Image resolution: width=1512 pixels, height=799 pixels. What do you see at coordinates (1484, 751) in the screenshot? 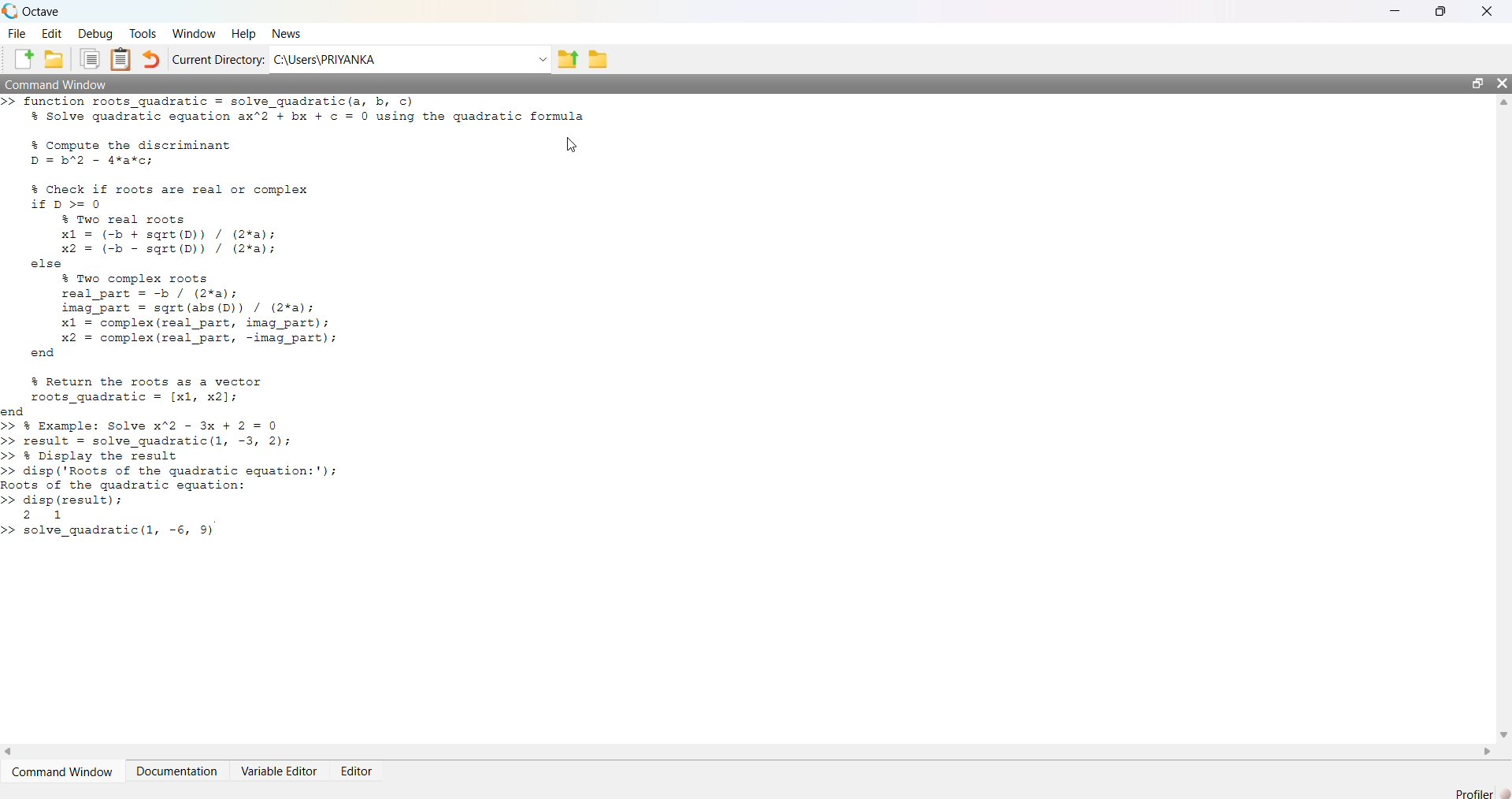
I see `Right` at bounding box center [1484, 751].